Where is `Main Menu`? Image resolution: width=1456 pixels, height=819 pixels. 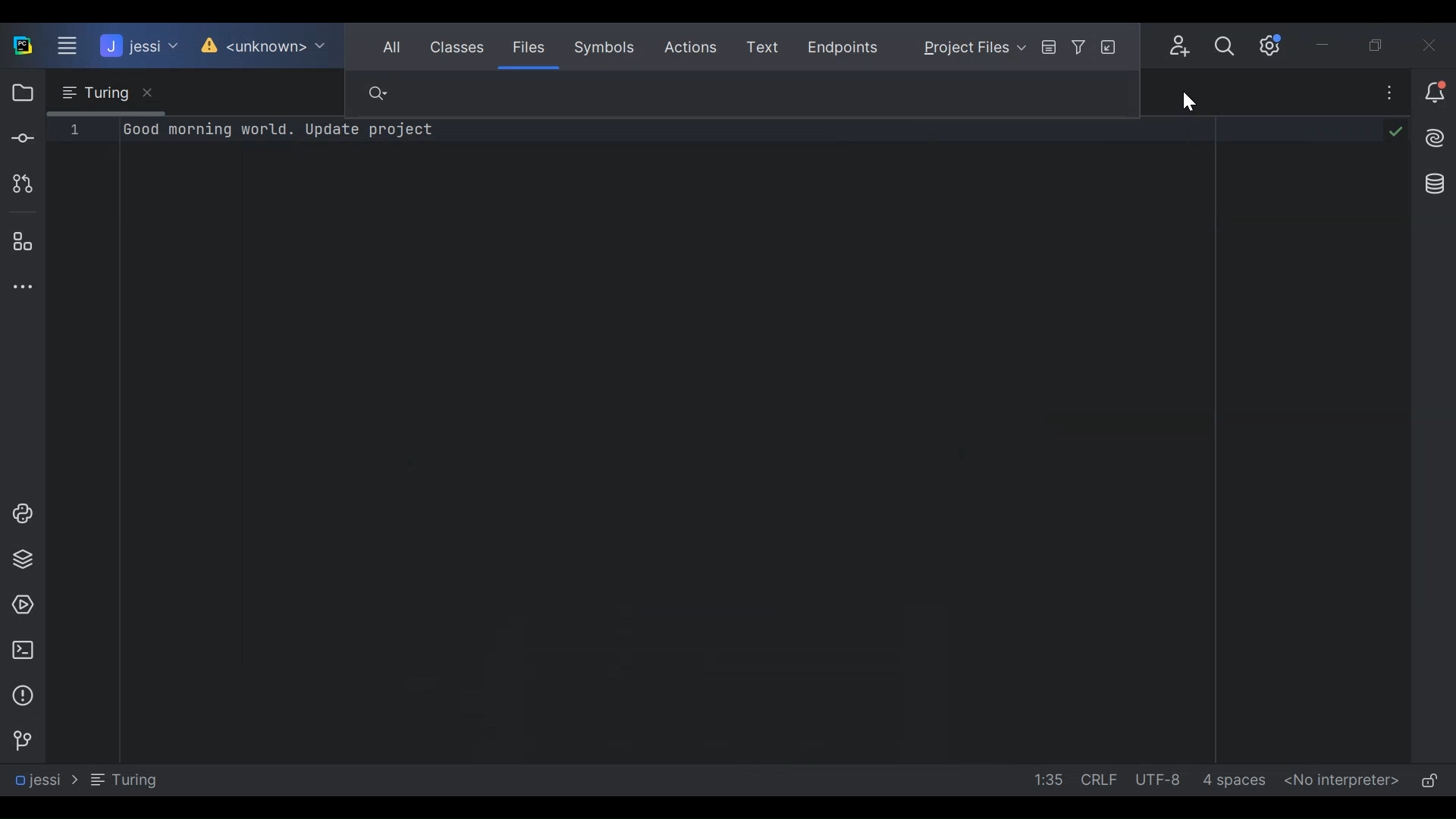 Main Menu is located at coordinates (60, 46).